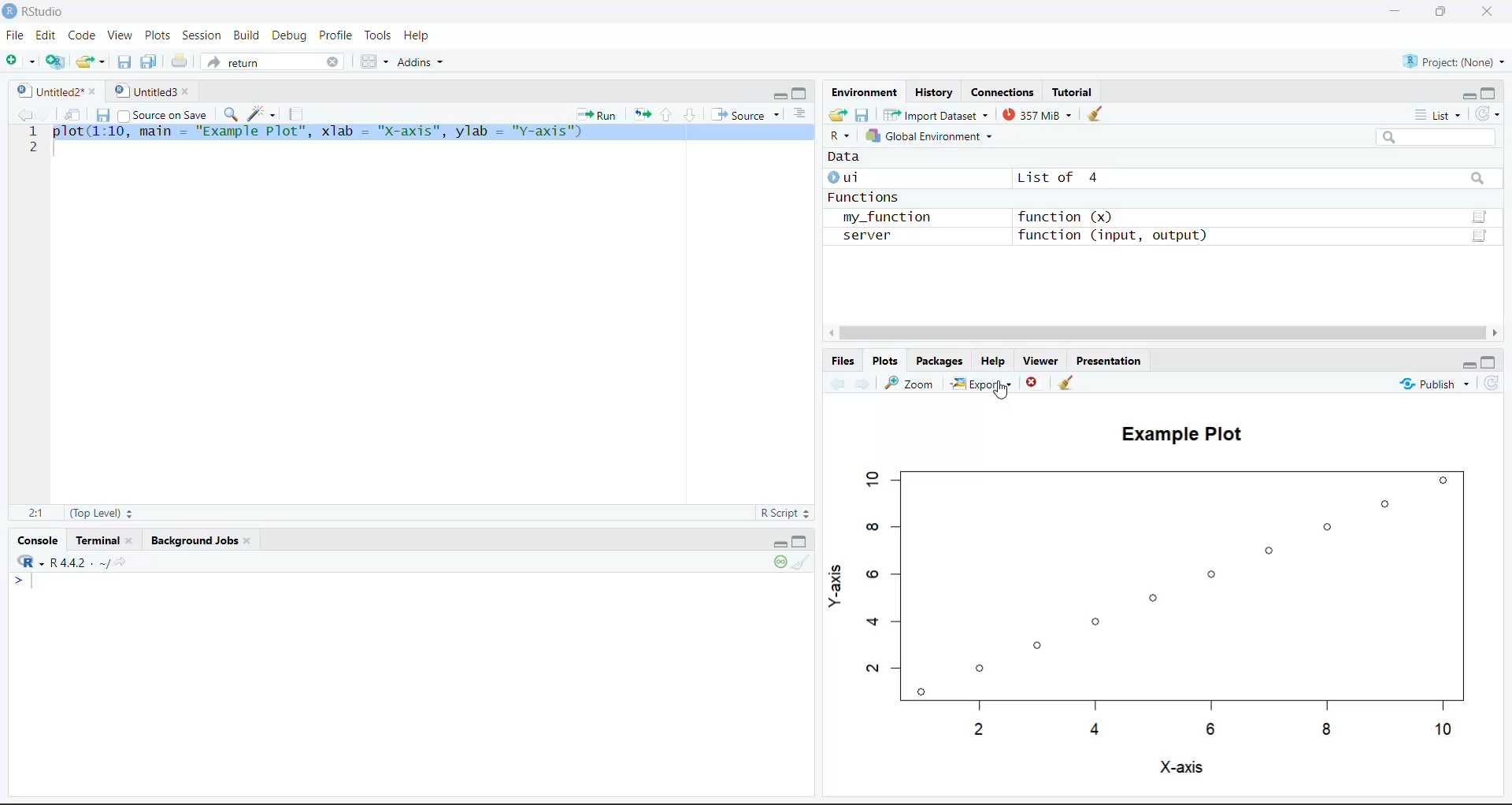 Image resolution: width=1512 pixels, height=805 pixels. Describe the element at coordinates (246, 34) in the screenshot. I see `Build` at that location.